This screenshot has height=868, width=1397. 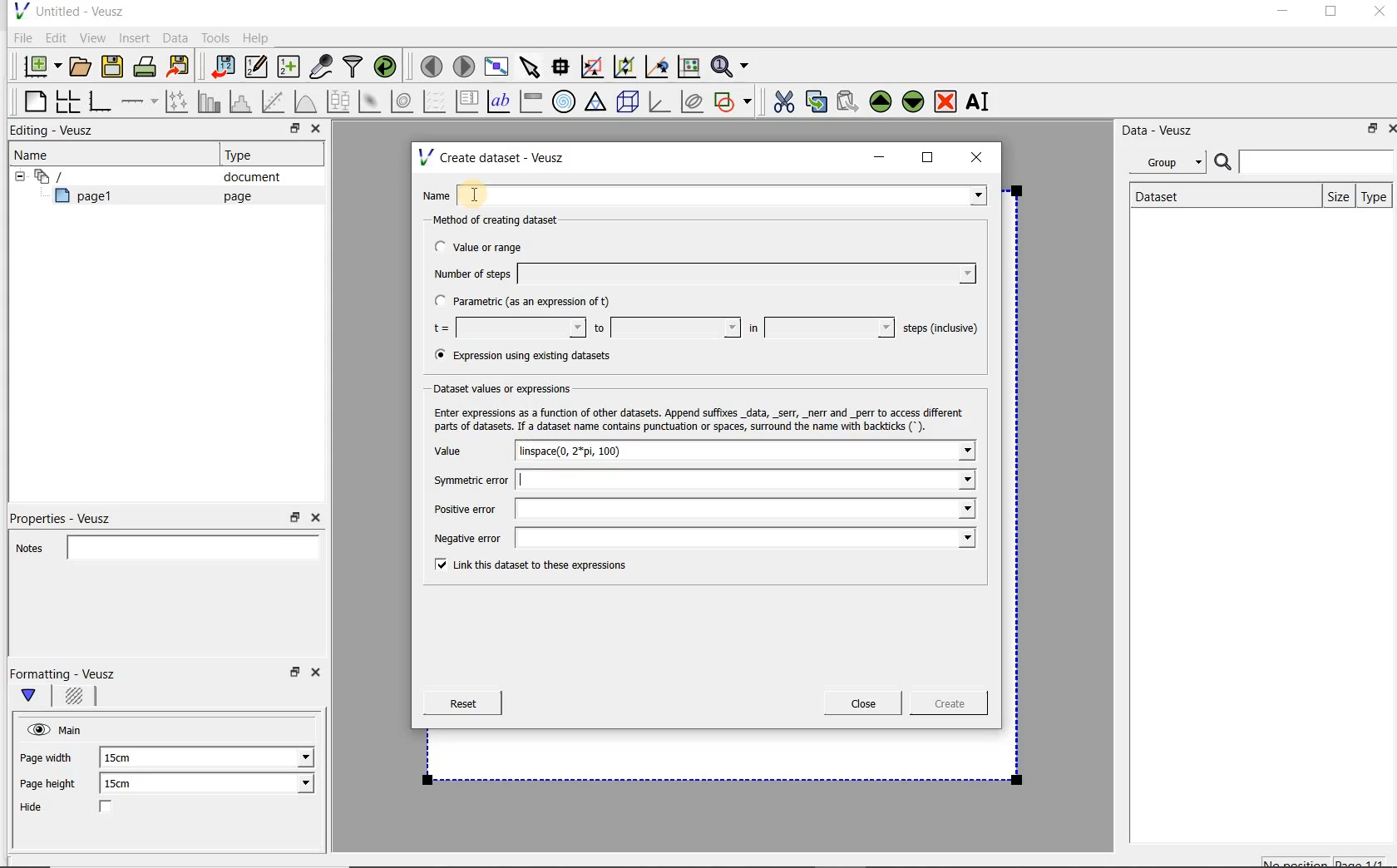 I want to click on Formatting - Veusz, so click(x=65, y=673).